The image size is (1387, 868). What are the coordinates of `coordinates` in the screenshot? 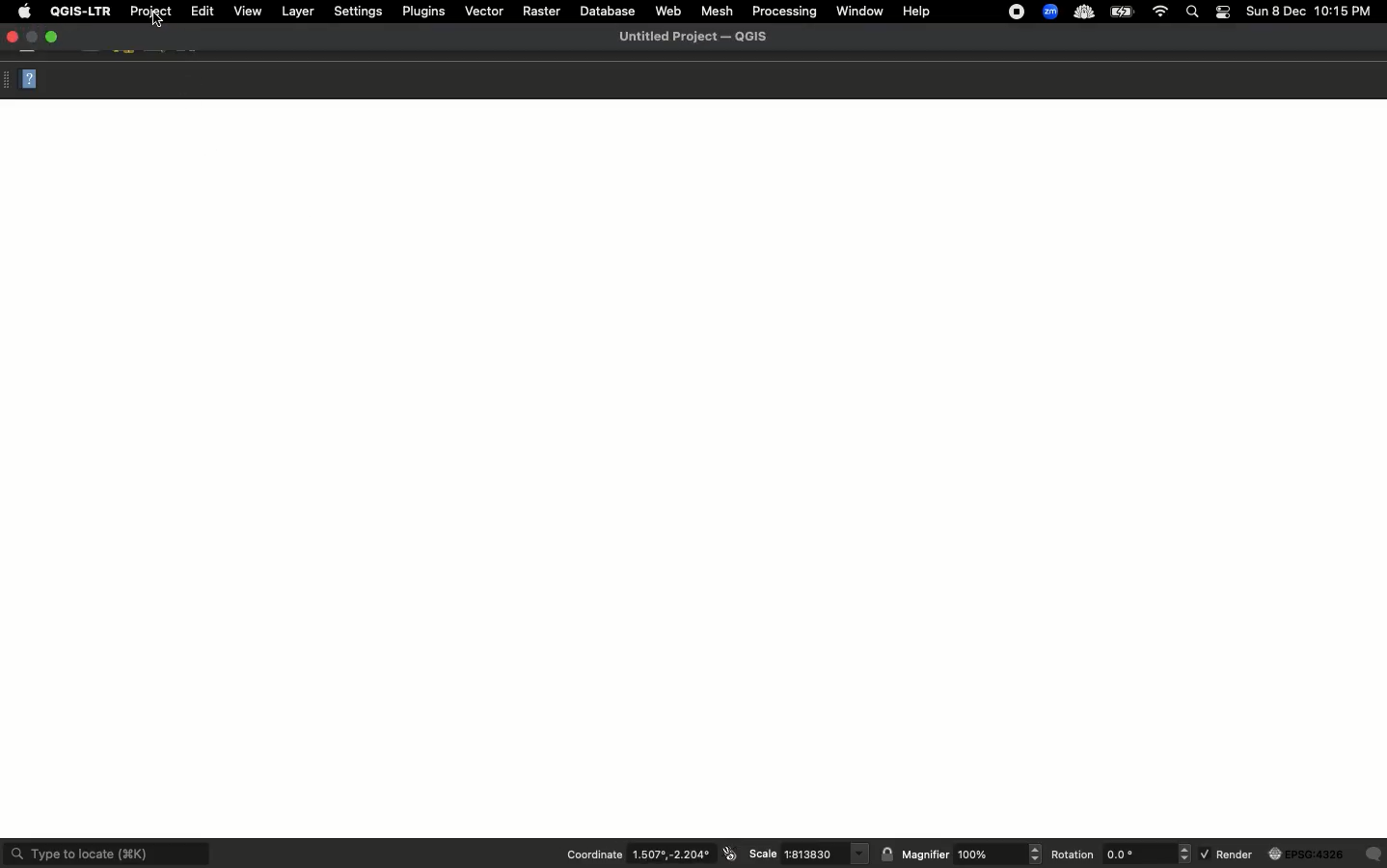 It's located at (670, 855).